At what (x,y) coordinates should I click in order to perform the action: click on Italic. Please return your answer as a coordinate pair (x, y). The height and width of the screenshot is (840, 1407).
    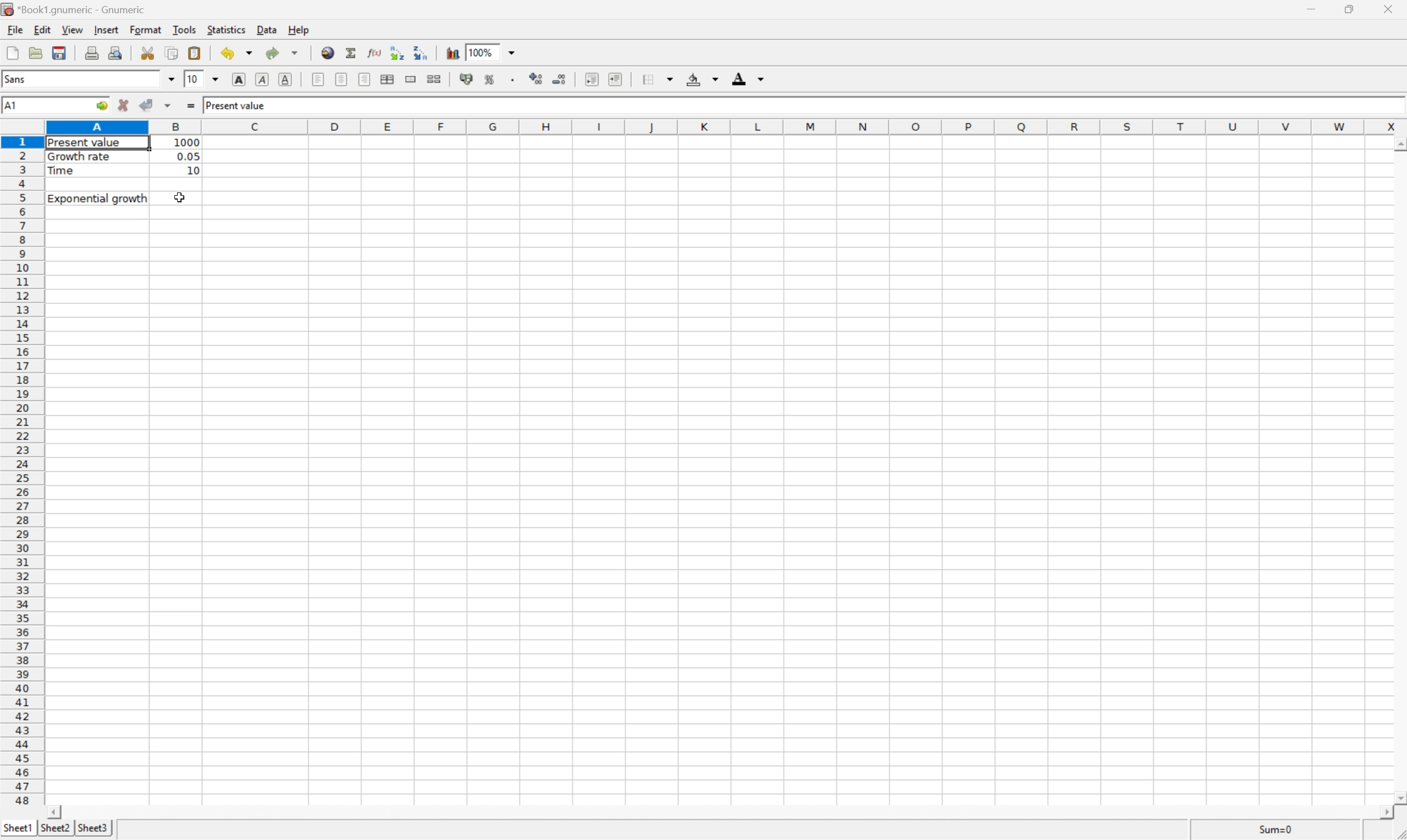
    Looking at the image, I should click on (261, 79).